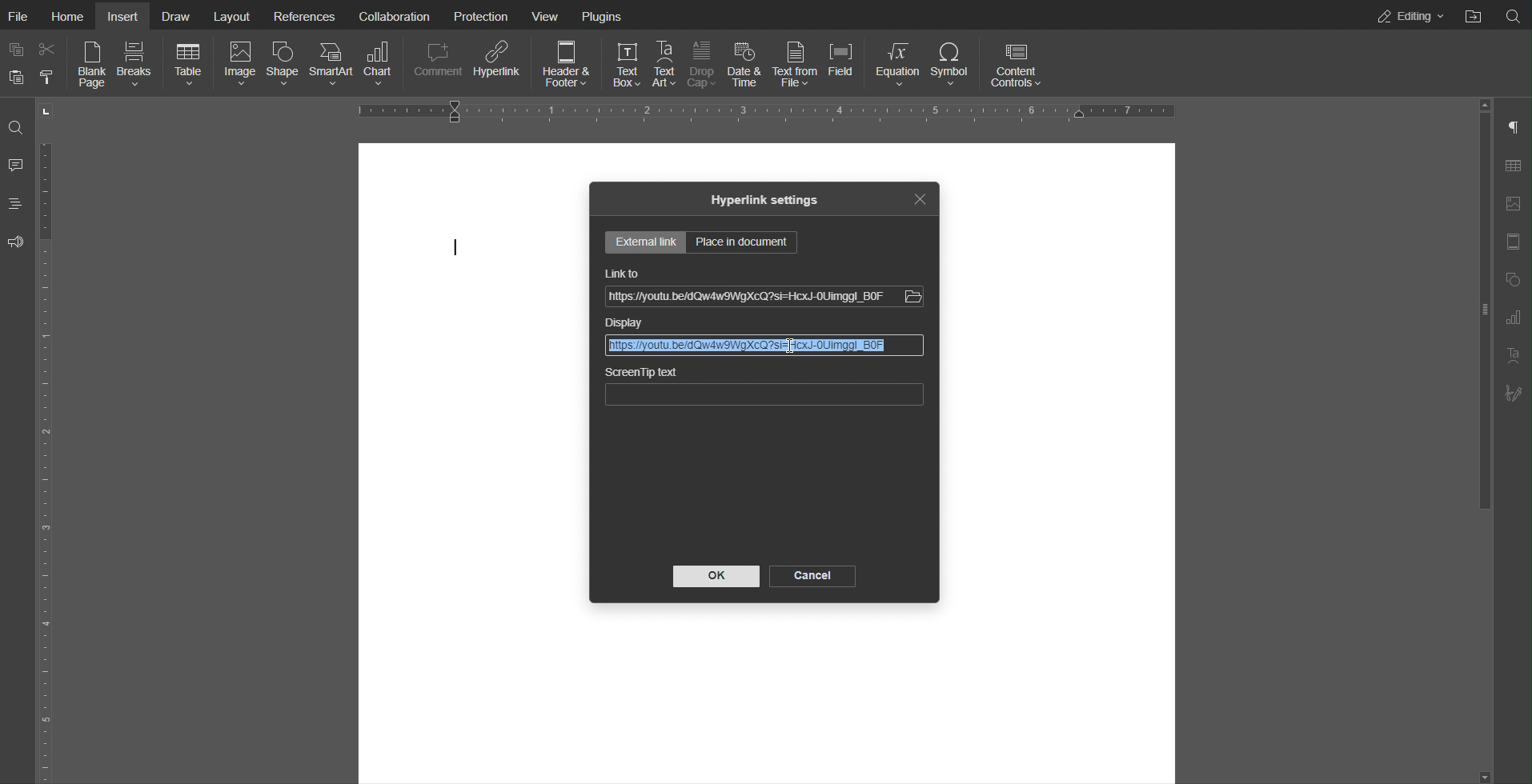 The width and height of the screenshot is (1532, 784). Describe the element at coordinates (393, 14) in the screenshot. I see `Collaboration` at that location.